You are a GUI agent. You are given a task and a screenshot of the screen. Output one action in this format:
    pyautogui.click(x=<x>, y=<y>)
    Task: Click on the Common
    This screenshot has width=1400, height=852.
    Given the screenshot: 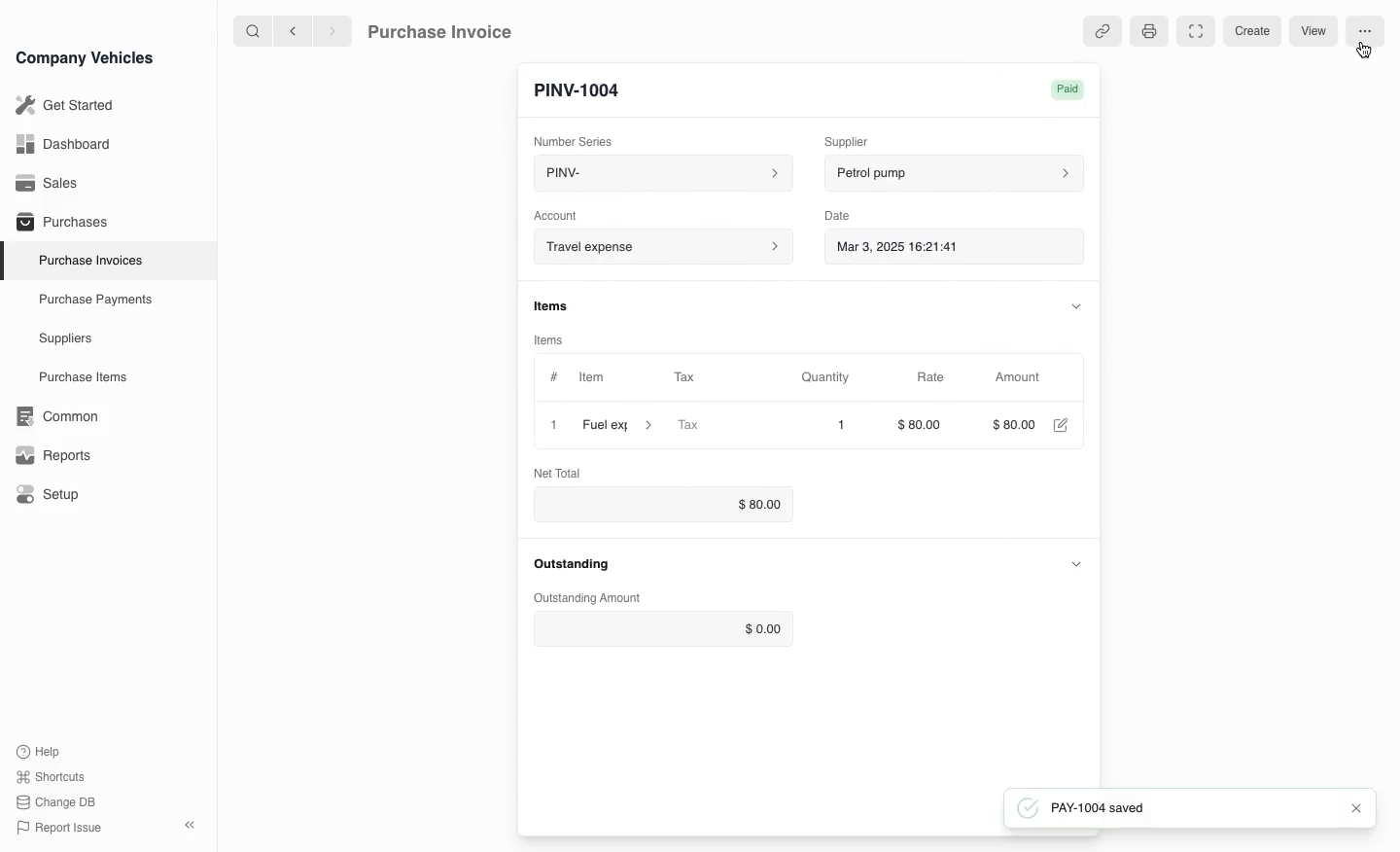 What is the action you would take?
    pyautogui.click(x=52, y=416)
    